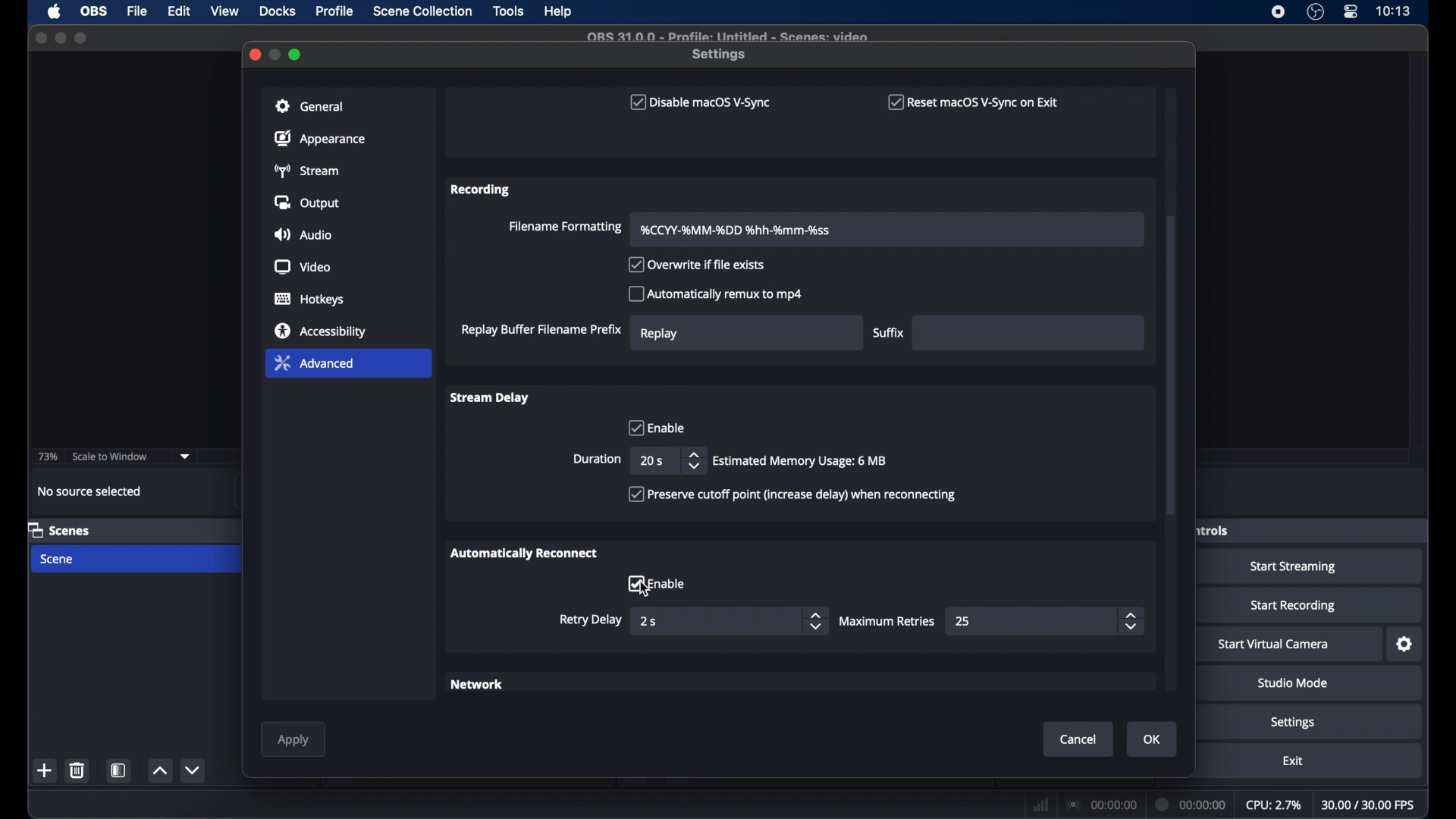  Describe the element at coordinates (1406, 645) in the screenshot. I see `settings` at that location.